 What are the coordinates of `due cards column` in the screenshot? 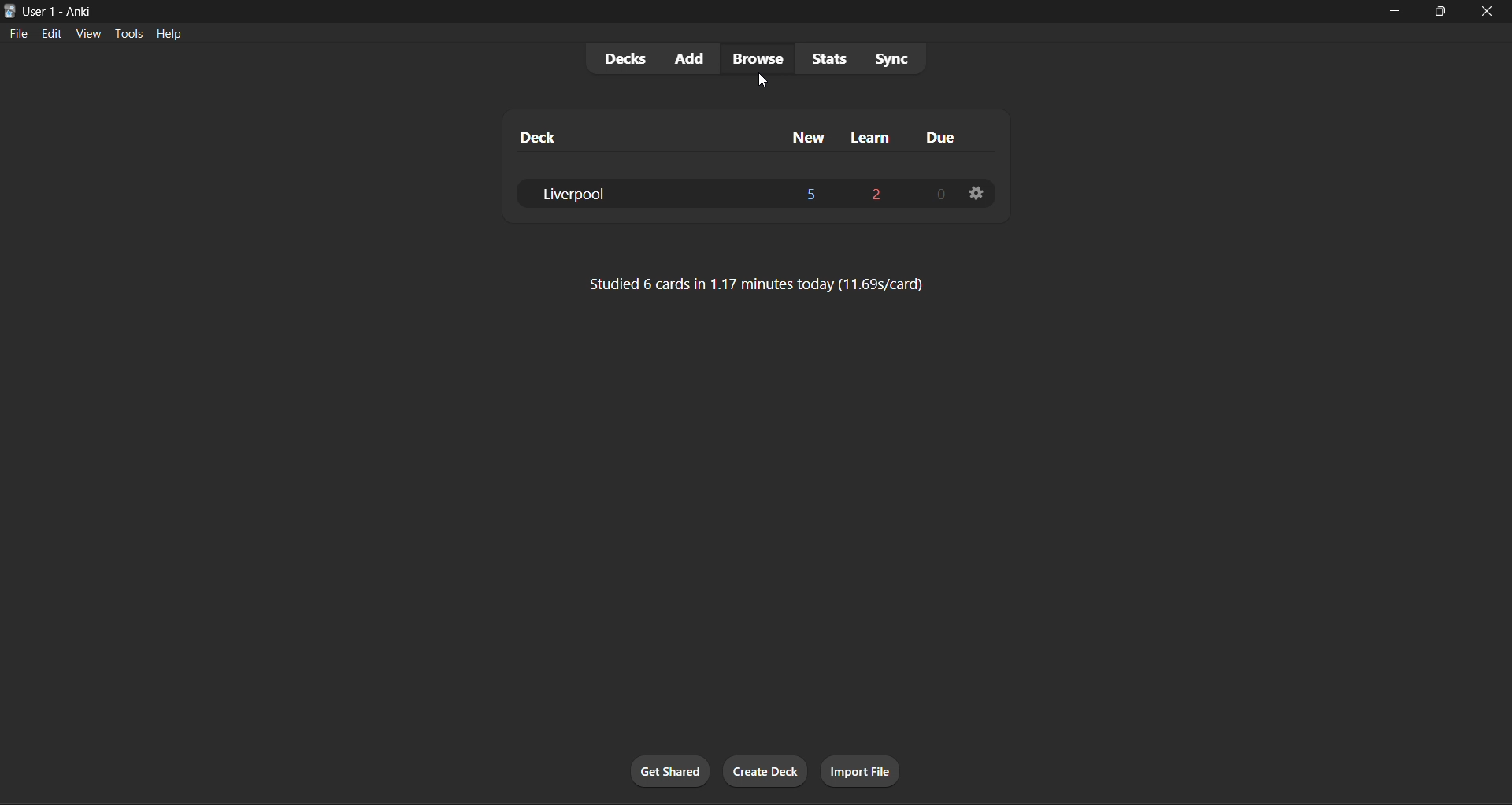 It's located at (944, 135).